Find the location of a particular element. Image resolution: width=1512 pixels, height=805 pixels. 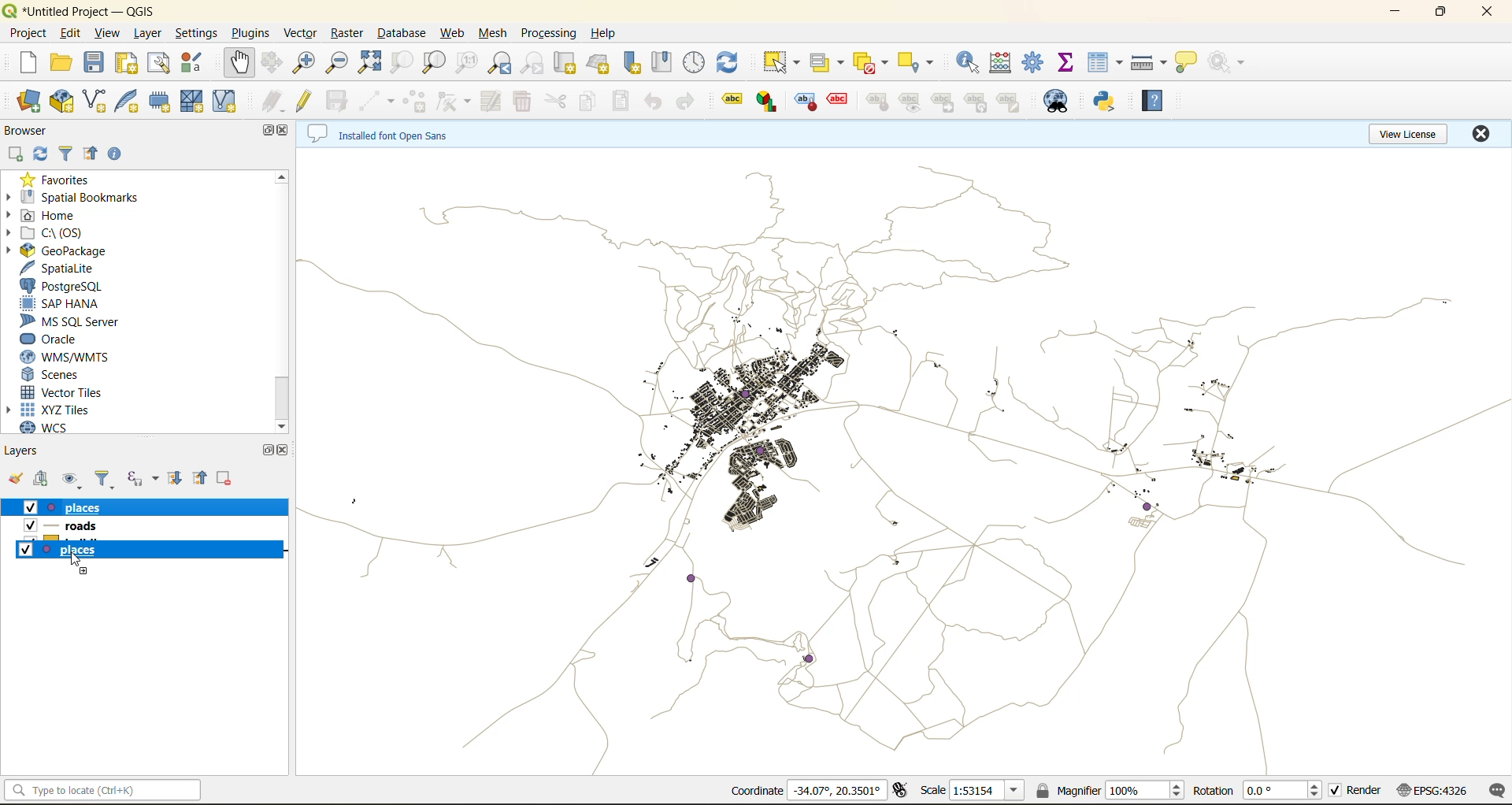

sap hana is located at coordinates (72, 306).